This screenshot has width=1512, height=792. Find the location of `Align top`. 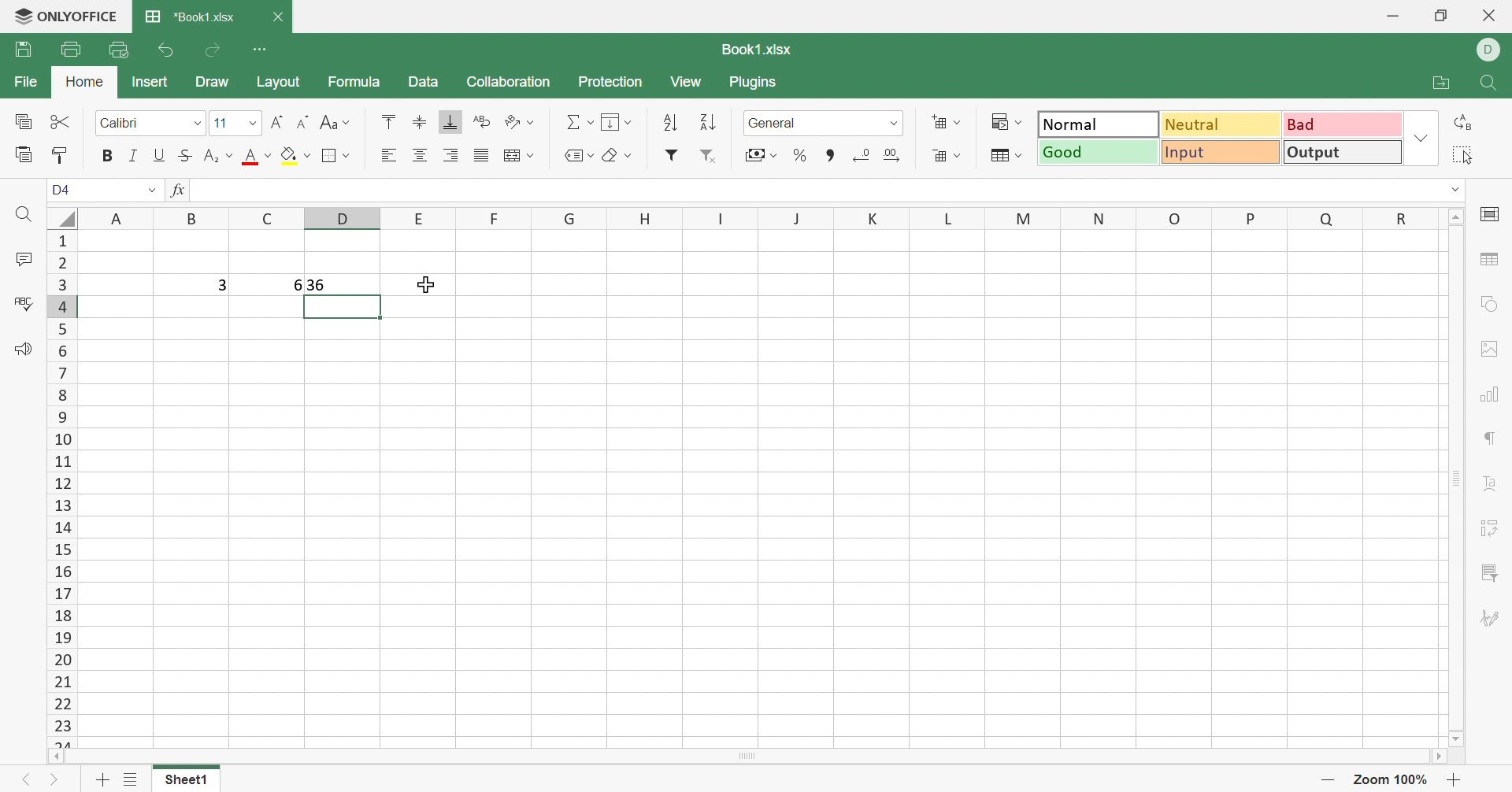

Align top is located at coordinates (421, 123).